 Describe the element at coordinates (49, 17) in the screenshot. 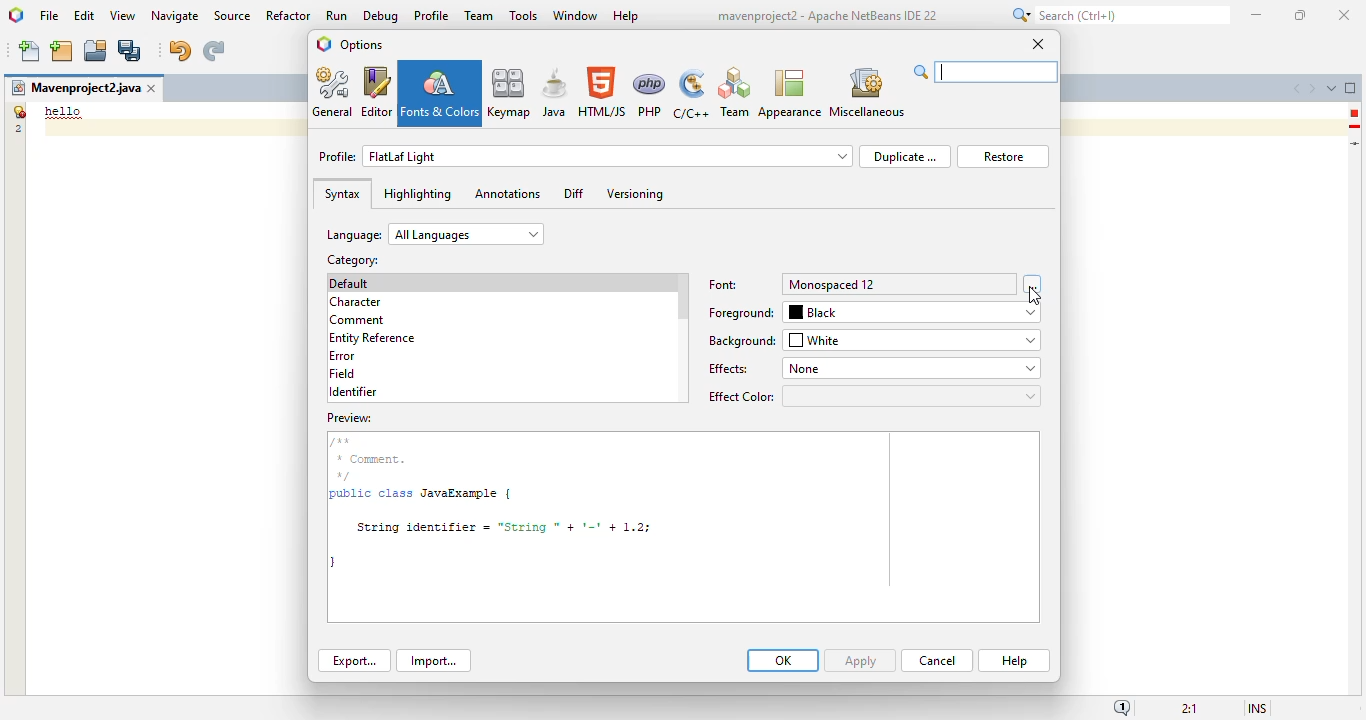

I see `file` at that location.